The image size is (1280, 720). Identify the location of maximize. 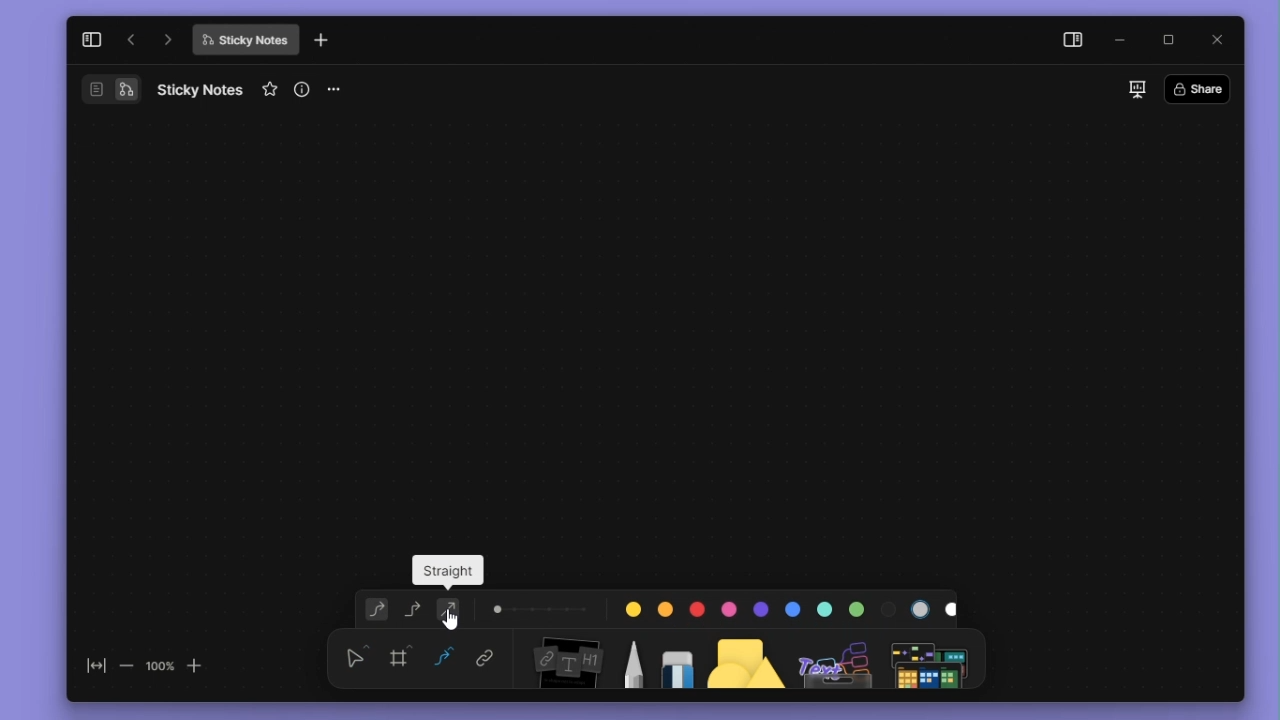
(1175, 41).